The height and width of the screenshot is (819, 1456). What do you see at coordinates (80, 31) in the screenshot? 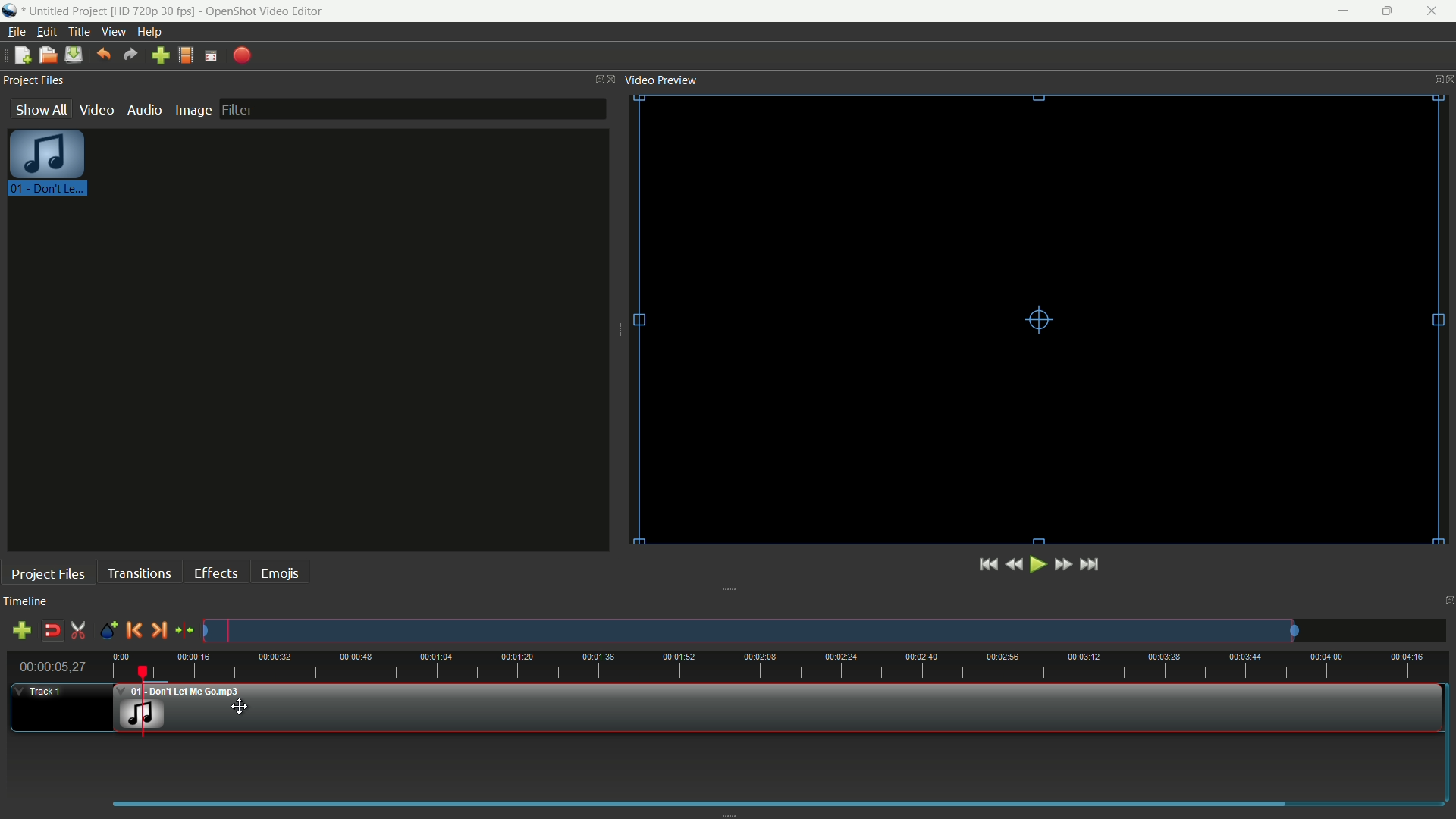
I see `title menu` at bounding box center [80, 31].